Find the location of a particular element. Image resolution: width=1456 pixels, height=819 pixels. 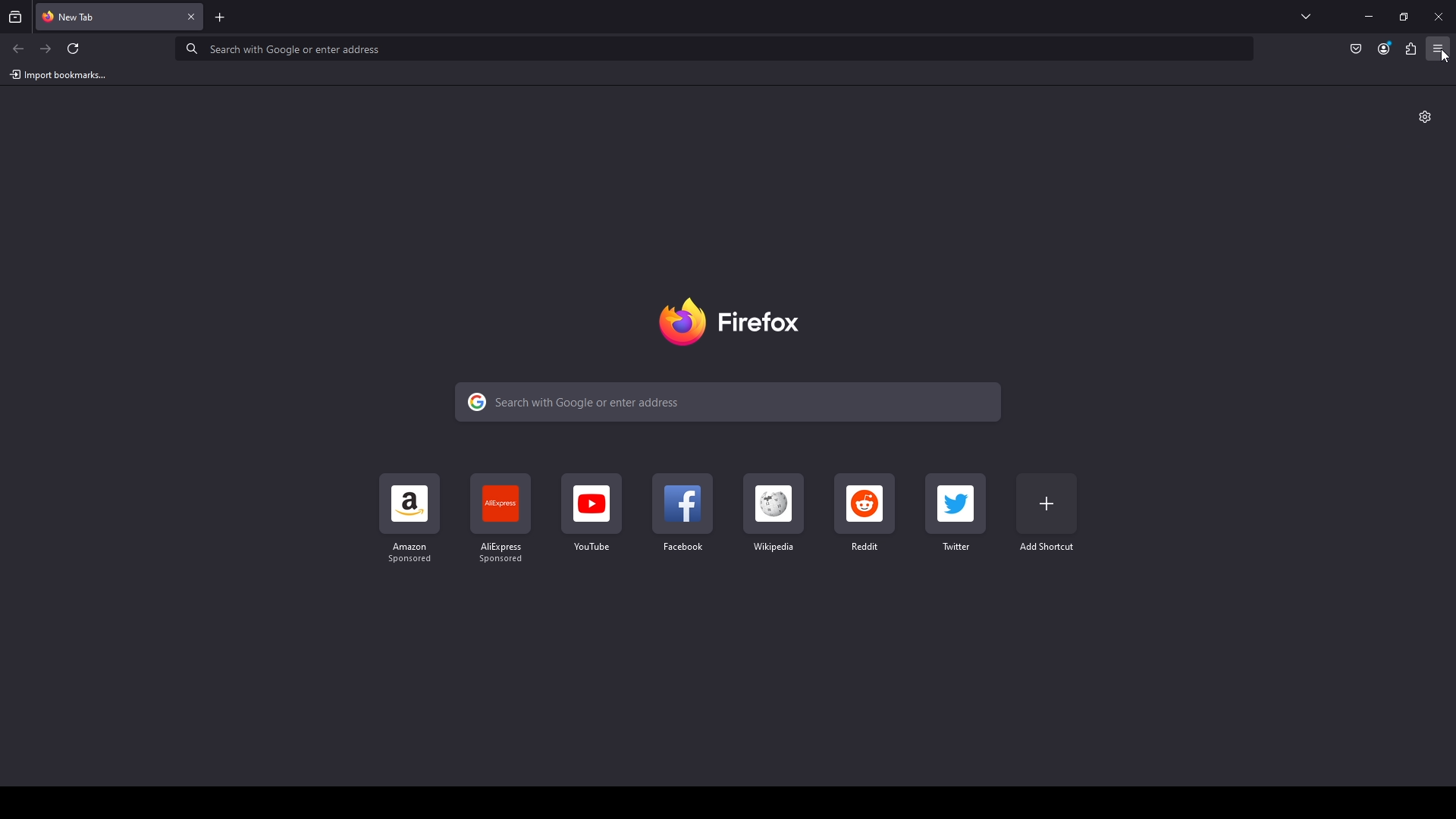

Twitter is located at coordinates (956, 513).